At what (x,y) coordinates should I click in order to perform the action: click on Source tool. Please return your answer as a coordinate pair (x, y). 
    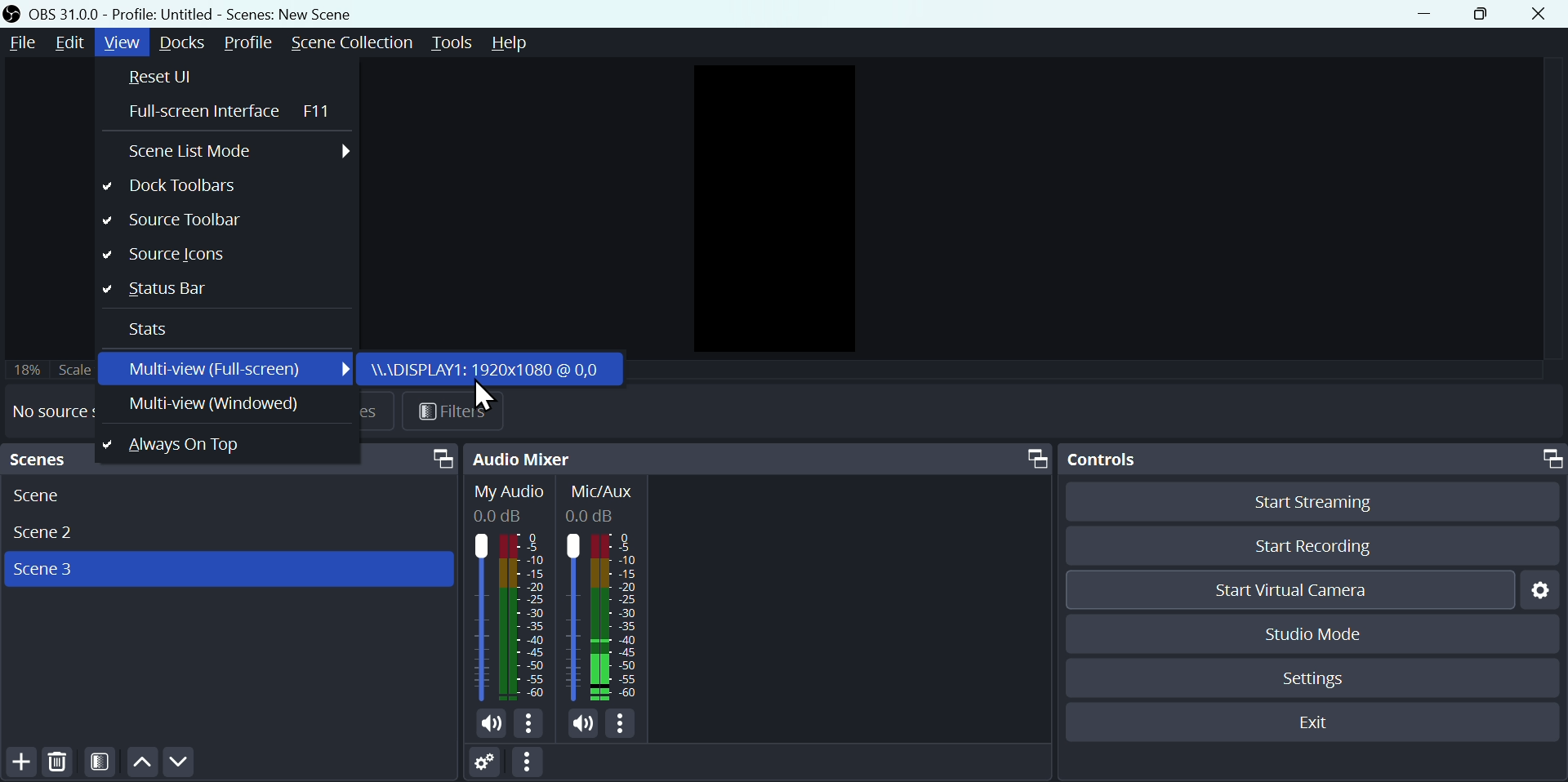
    Looking at the image, I should click on (219, 255).